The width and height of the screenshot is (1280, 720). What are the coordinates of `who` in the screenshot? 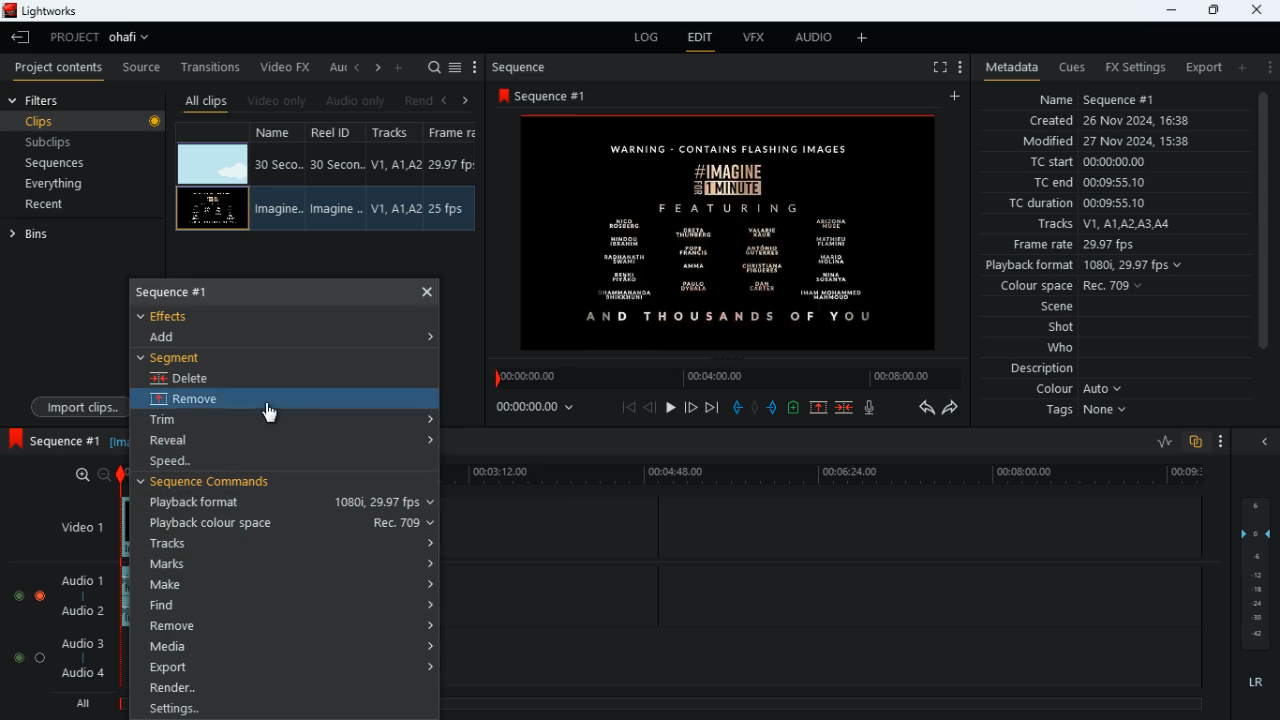 It's located at (1056, 348).